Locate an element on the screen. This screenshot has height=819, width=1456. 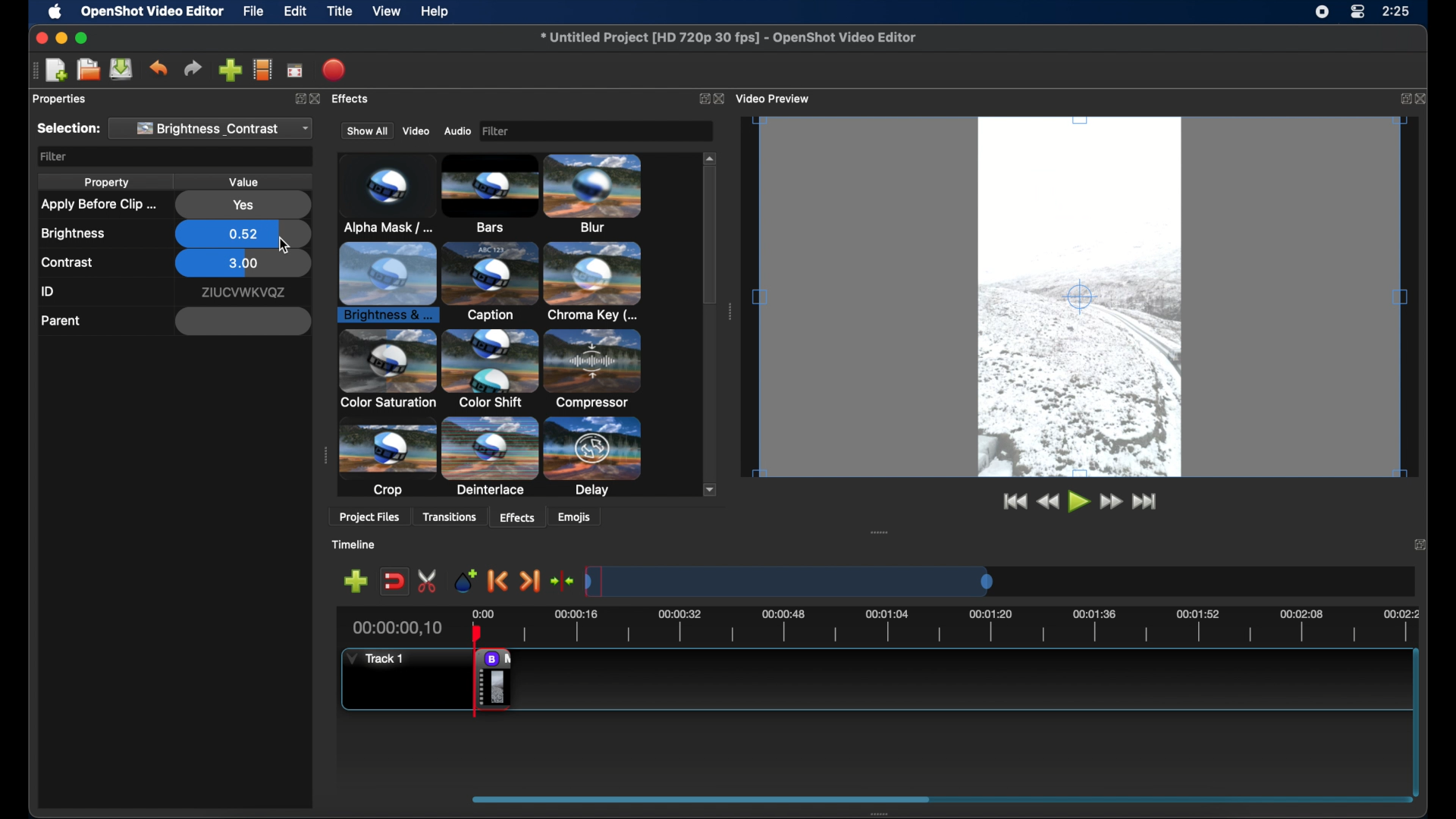
apply before clip is located at coordinates (97, 205).